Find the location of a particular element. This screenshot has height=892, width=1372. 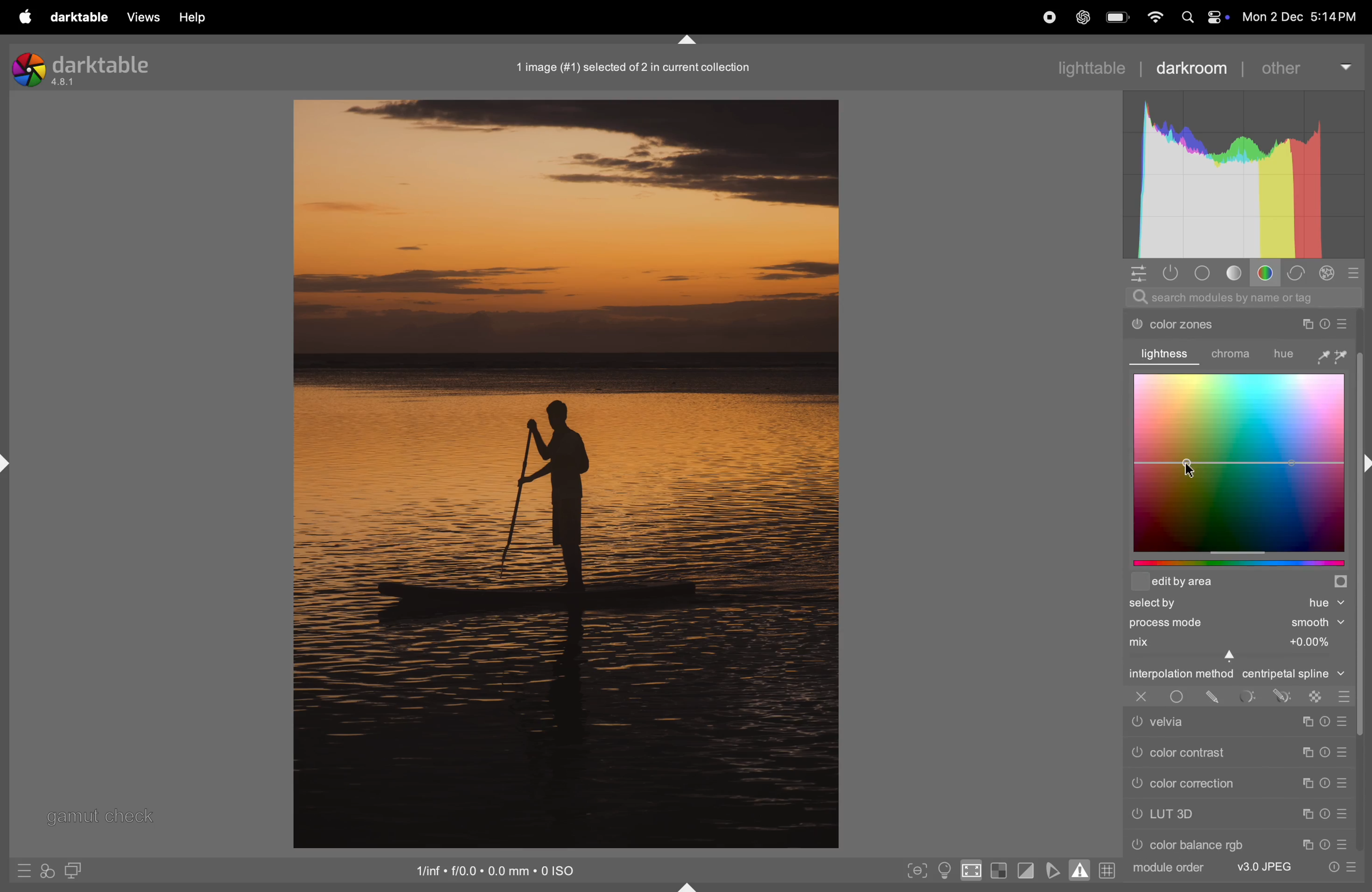

apple menu is located at coordinates (25, 17).